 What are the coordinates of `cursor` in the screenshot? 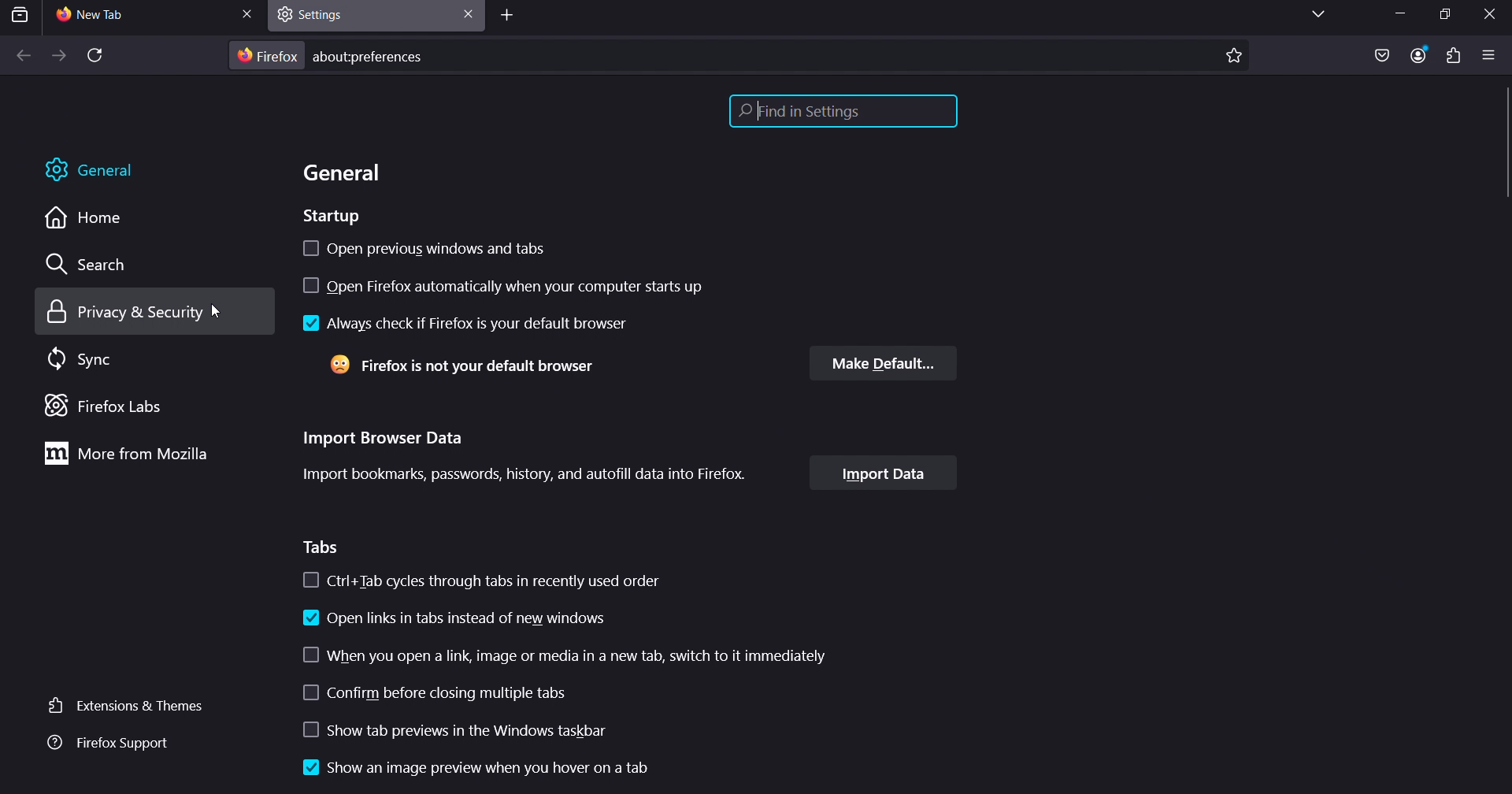 It's located at (216, 312).